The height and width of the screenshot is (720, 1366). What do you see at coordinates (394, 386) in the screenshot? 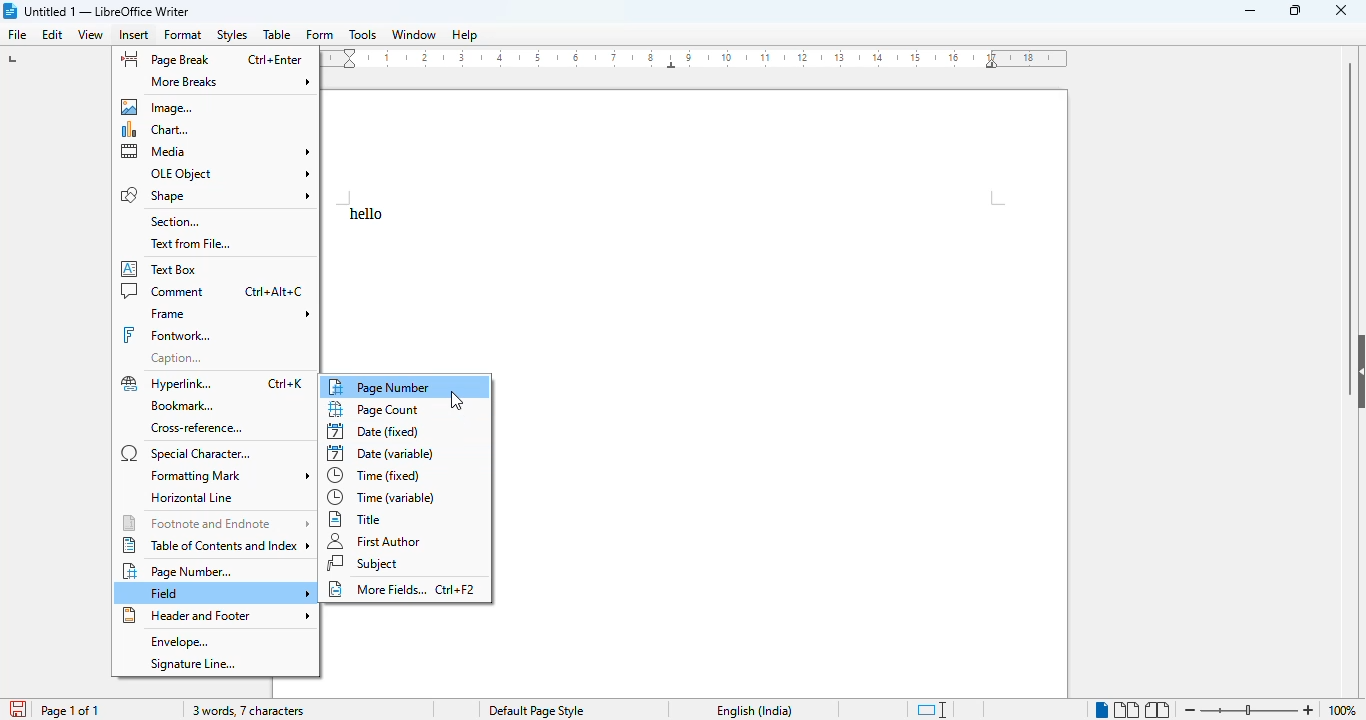
I see `page number` at bounding box center [394, 386].